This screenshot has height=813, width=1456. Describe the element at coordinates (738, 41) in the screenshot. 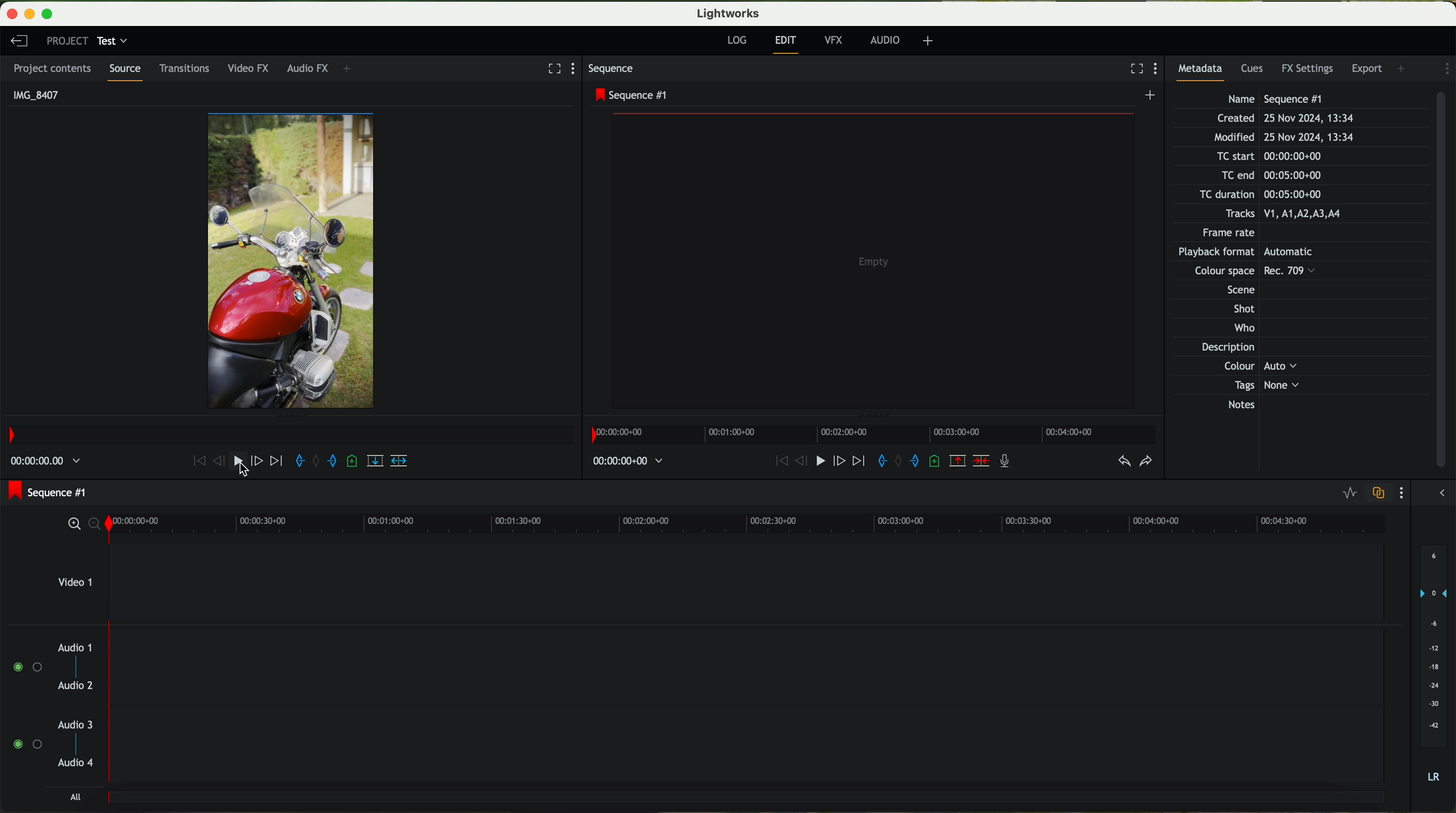

I see `log` at that location.